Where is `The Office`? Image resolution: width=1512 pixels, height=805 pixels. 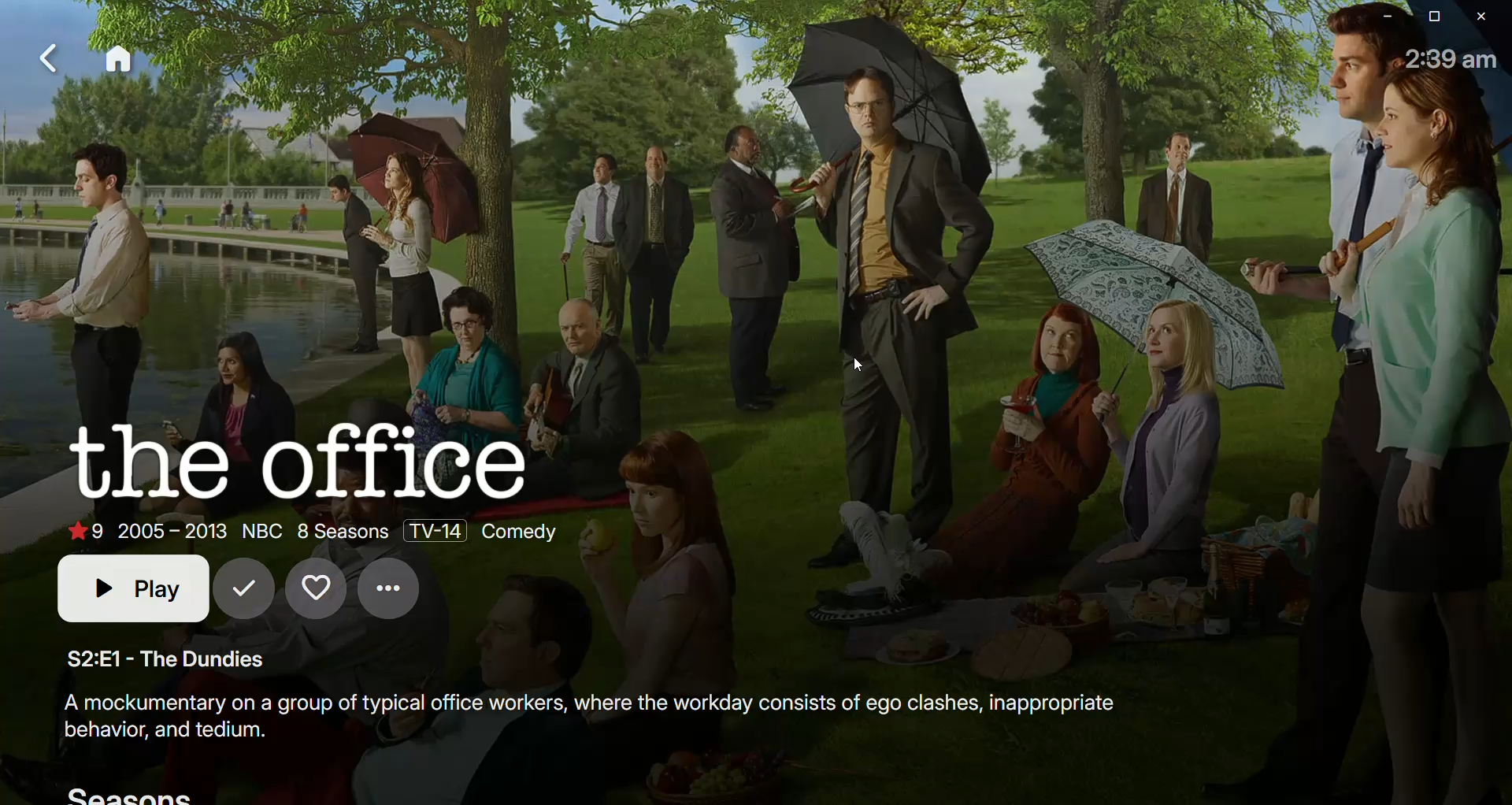
The Office is located at coordinates (319, 454).